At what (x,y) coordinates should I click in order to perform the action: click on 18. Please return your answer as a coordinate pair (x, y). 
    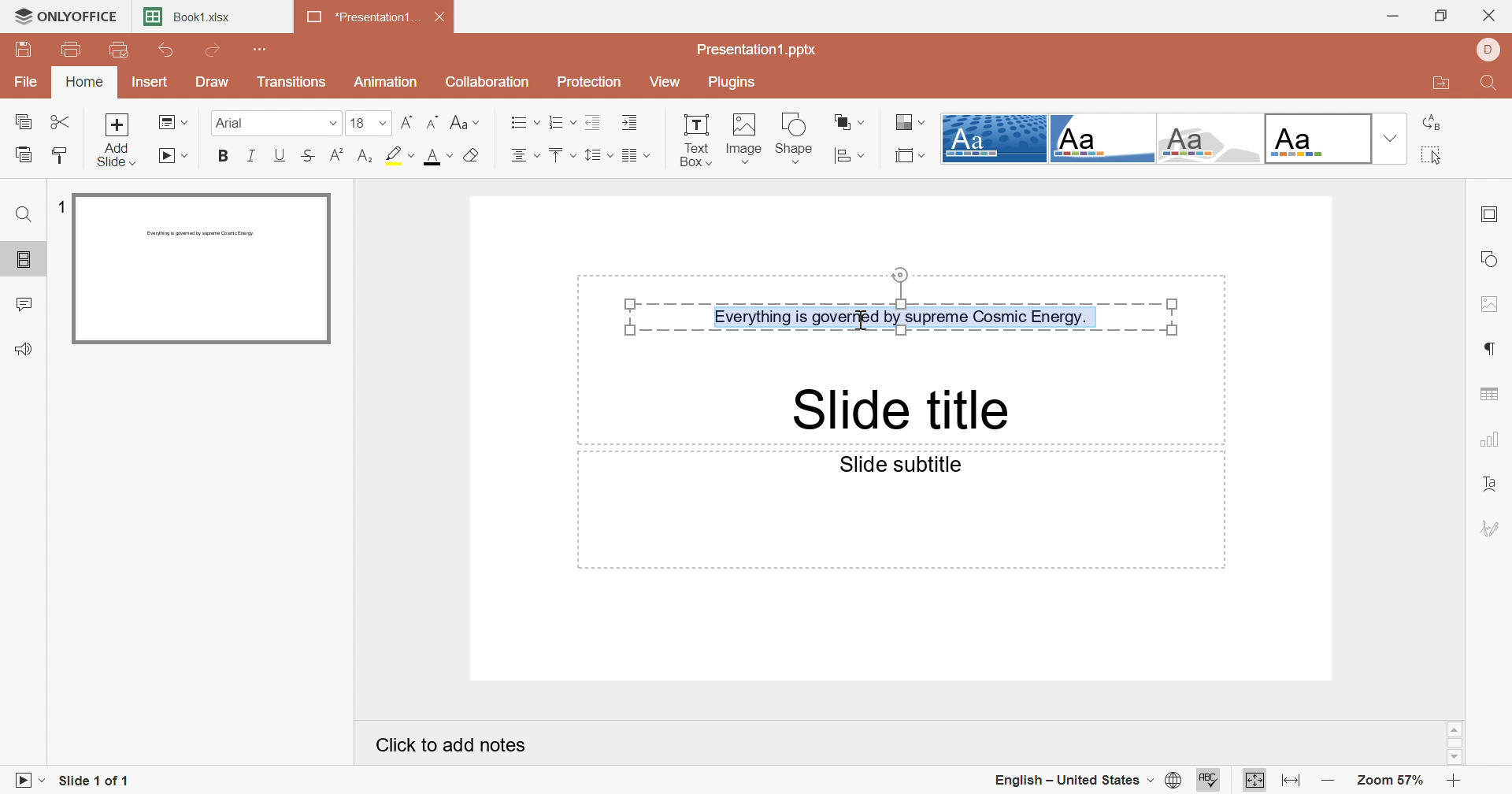
    Looking at the image, I should click on (369, 124).